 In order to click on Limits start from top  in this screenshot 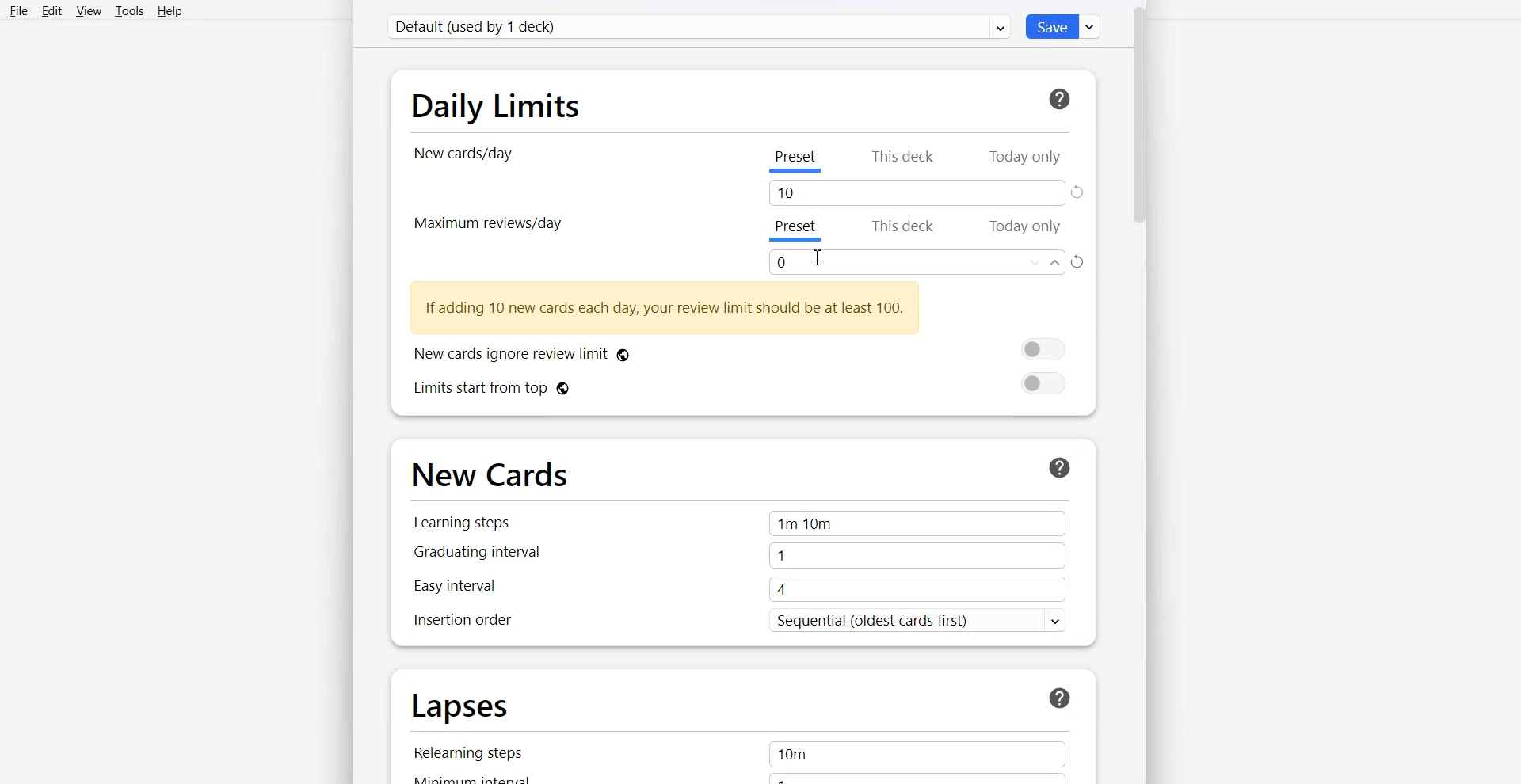, I will do `click(740, 386)`.